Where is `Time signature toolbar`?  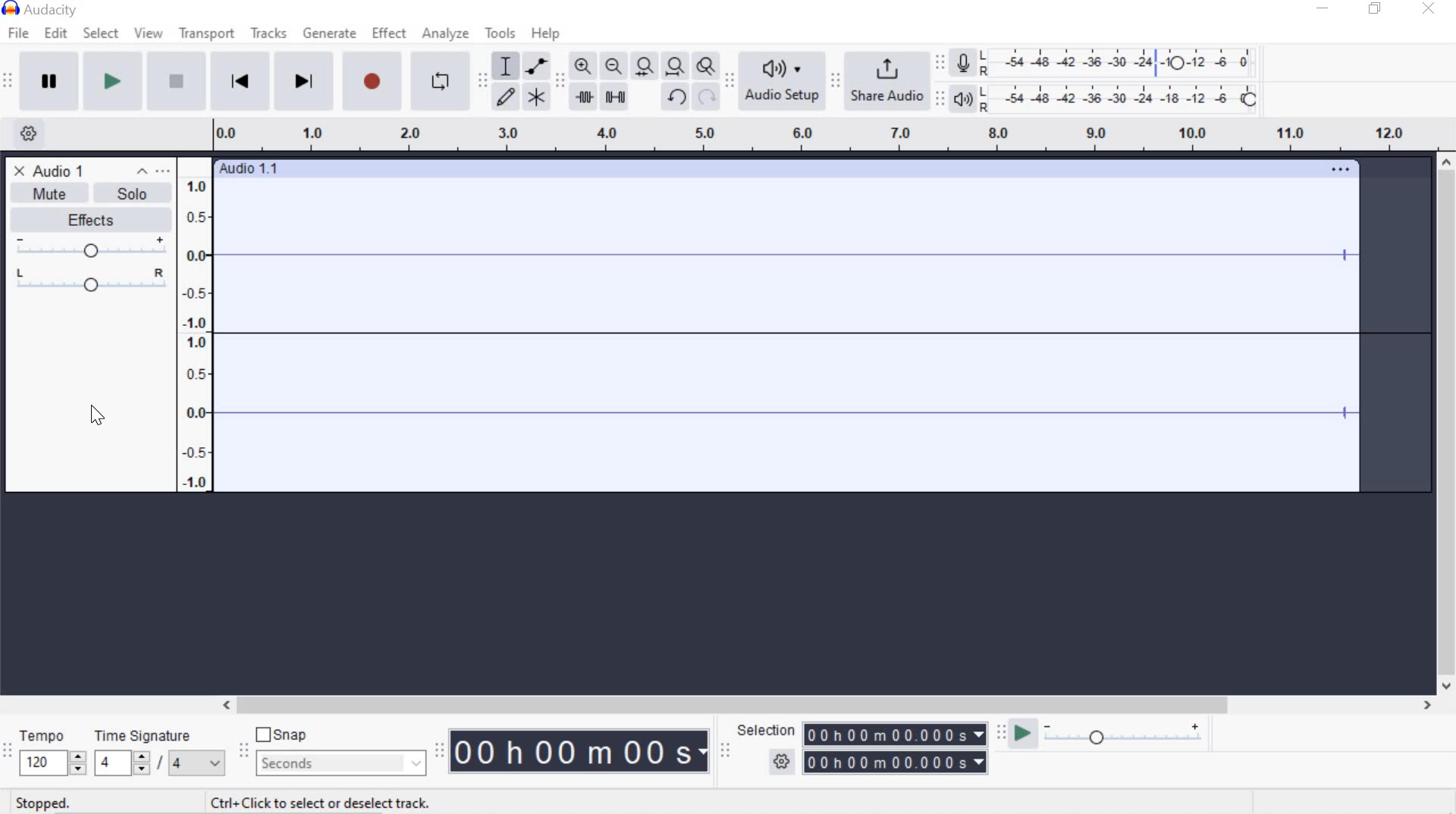 Time signature toolbar is located at coordinates (8, 751).